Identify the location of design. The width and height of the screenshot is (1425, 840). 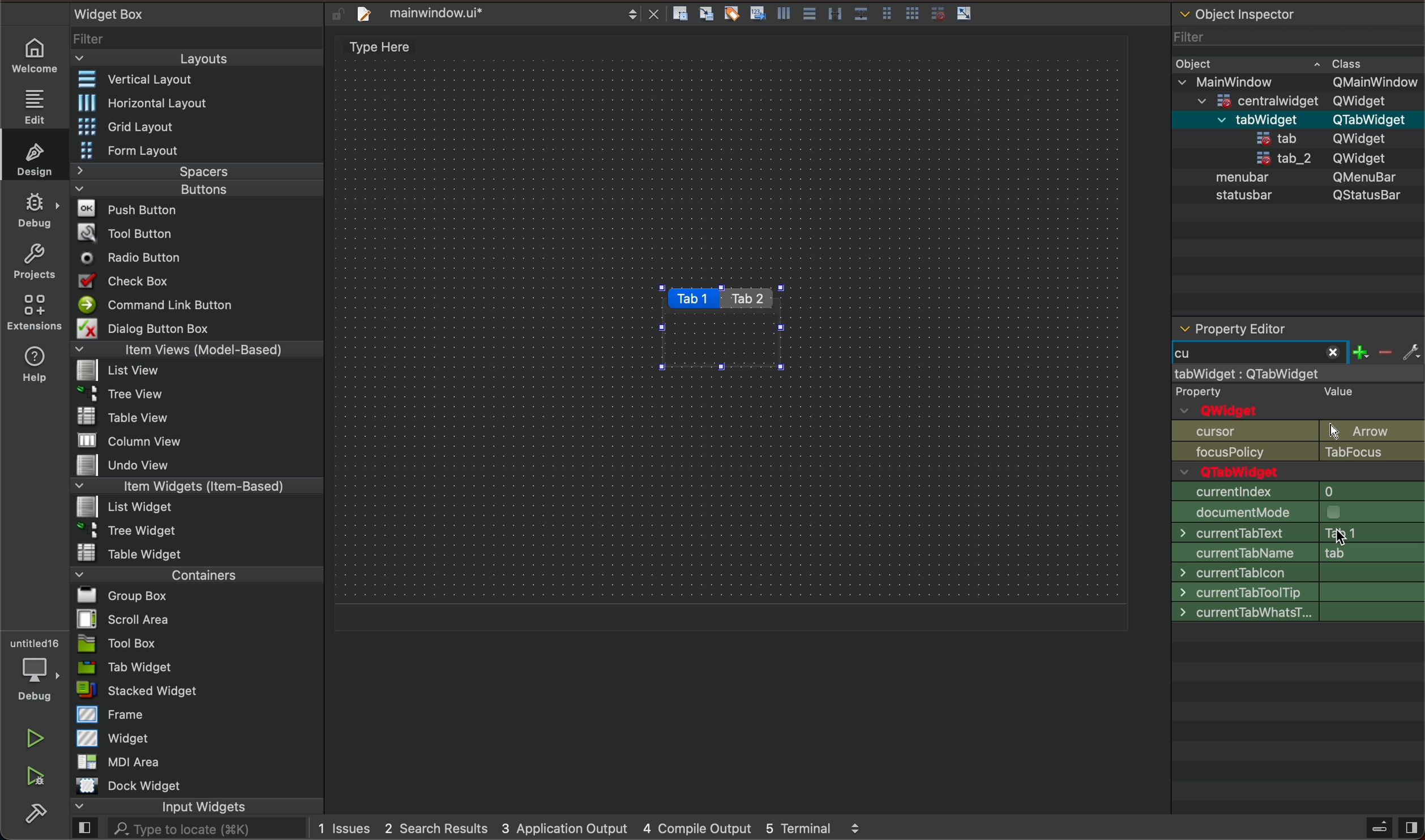
(34, 156).